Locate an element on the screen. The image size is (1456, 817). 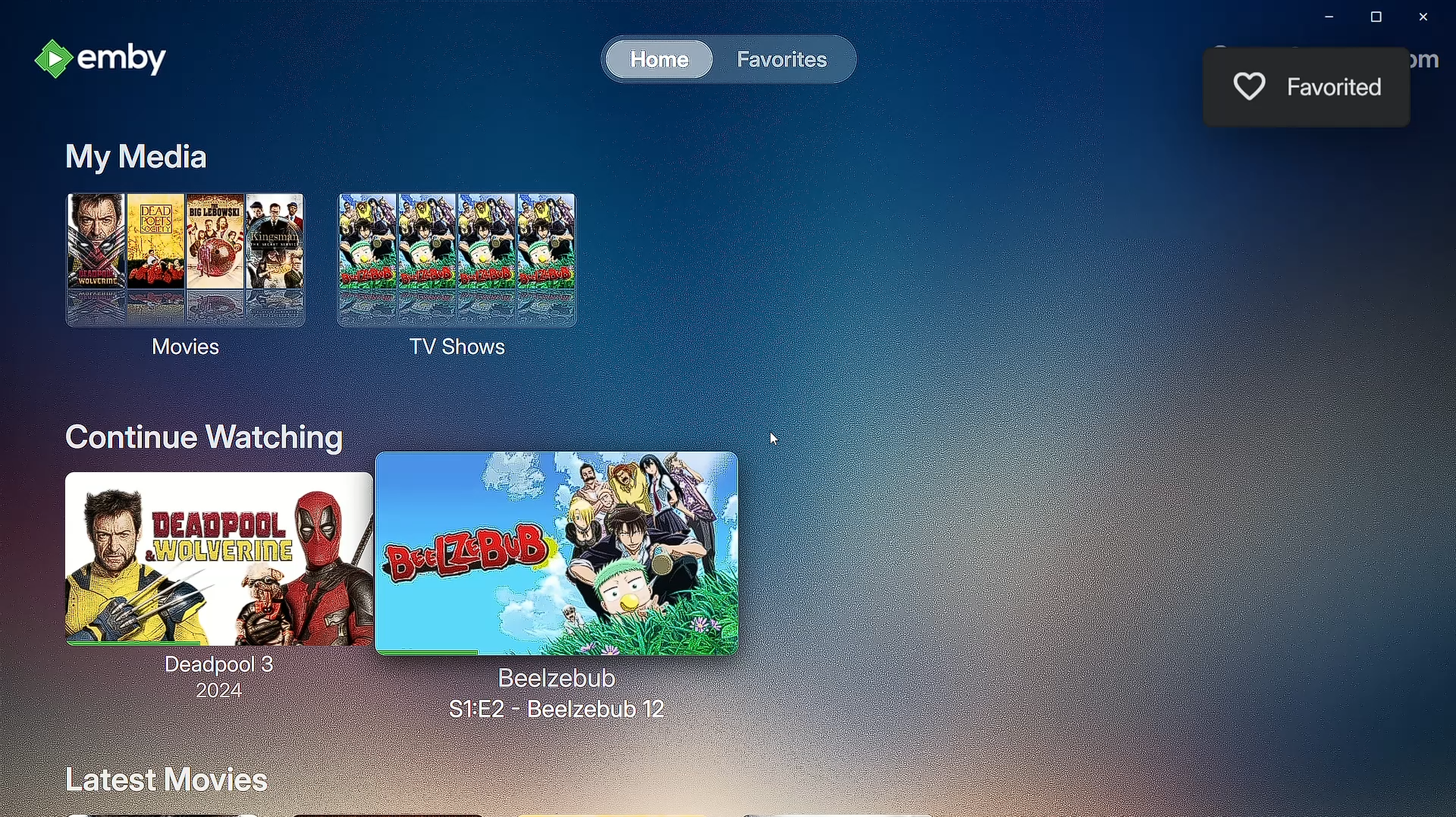
Deadpool 3 is located at coordinates (206, 573).